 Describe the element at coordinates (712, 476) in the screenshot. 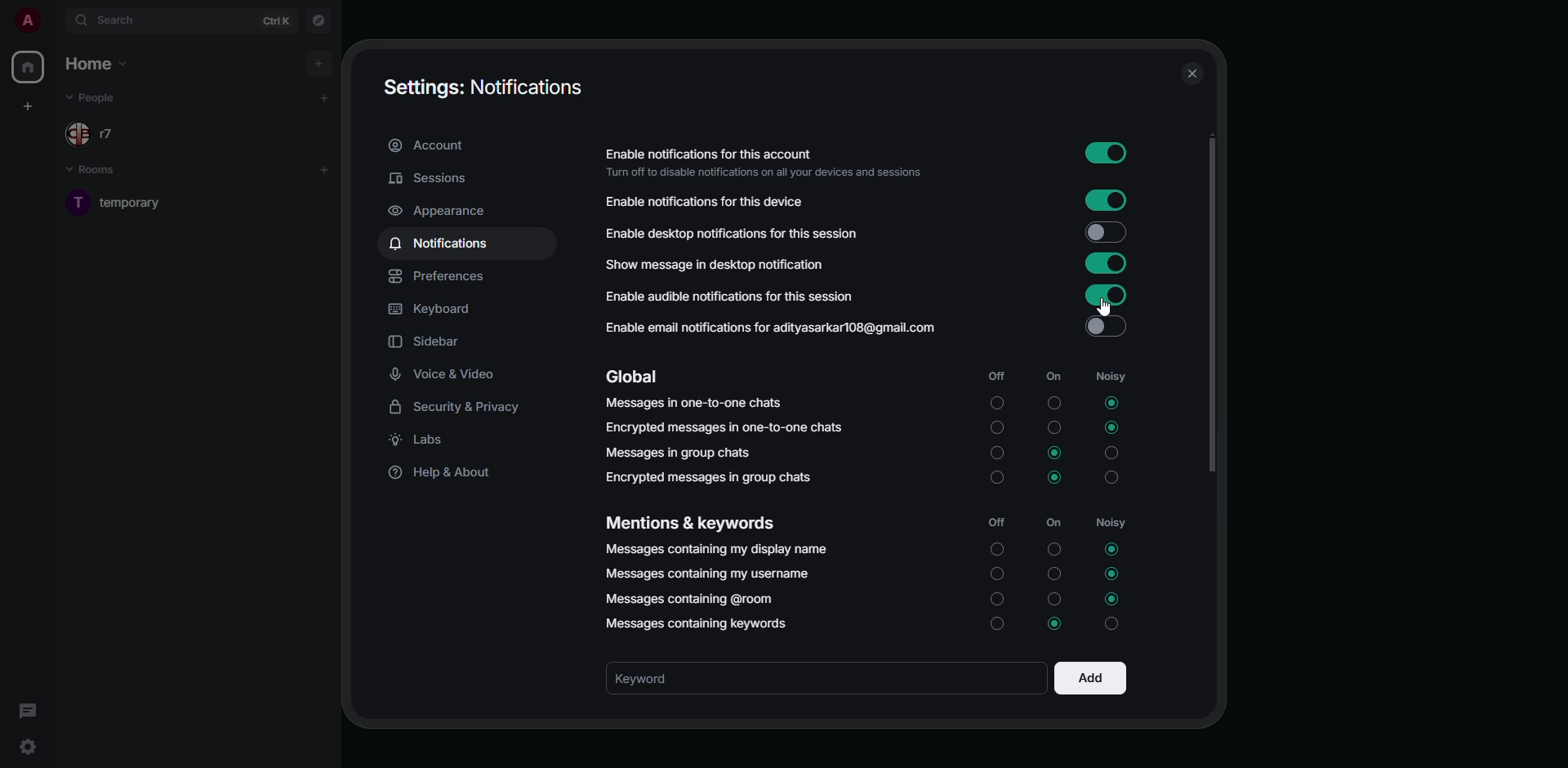

I see `encrypted messages in group chat` at that location.